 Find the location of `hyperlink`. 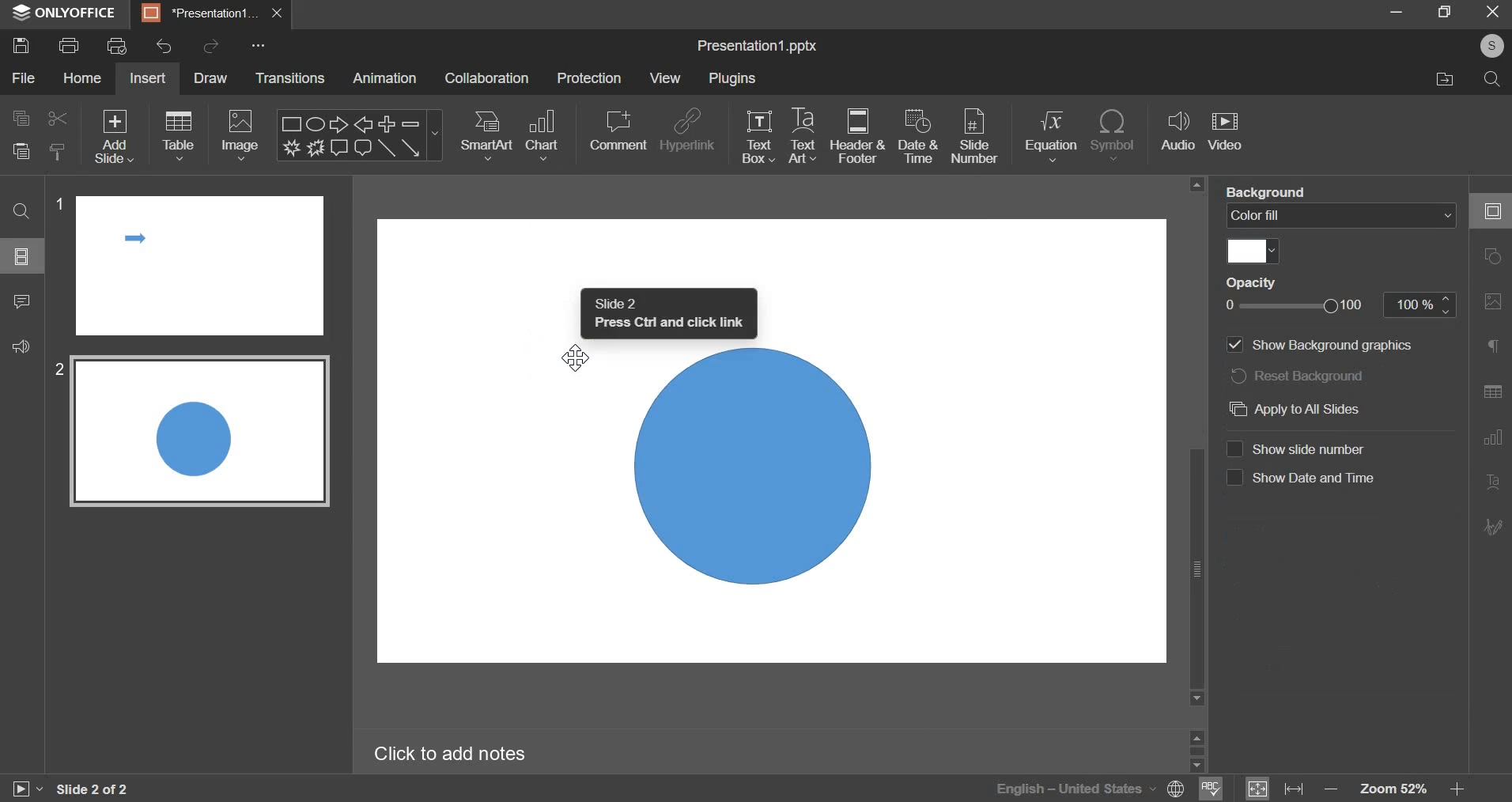

hyperlink is located at coordinates (687, 132).